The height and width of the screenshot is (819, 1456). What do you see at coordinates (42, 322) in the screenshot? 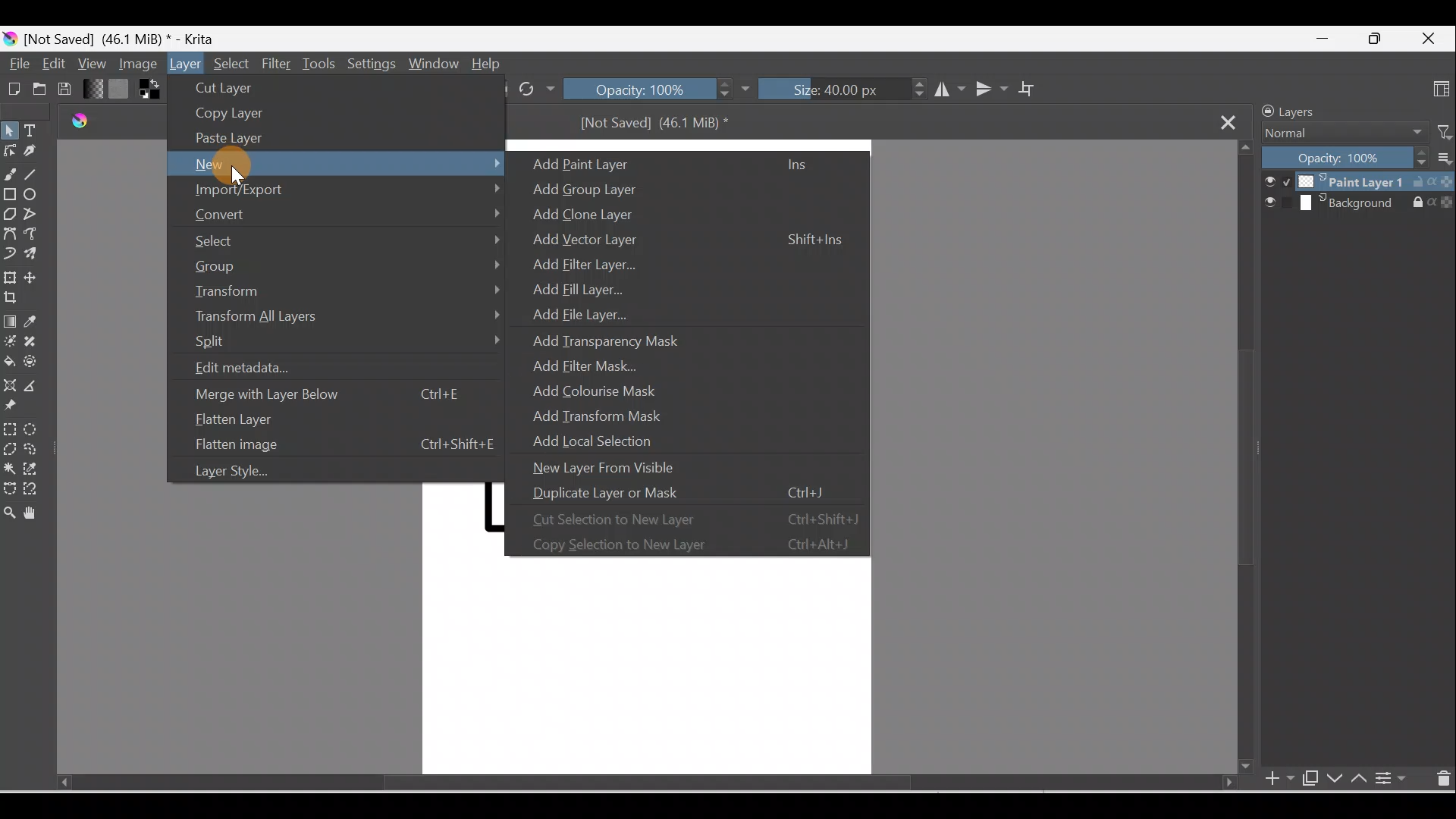
I see `Sample a colour from the image/current layer` at bounding box center [42, 322].